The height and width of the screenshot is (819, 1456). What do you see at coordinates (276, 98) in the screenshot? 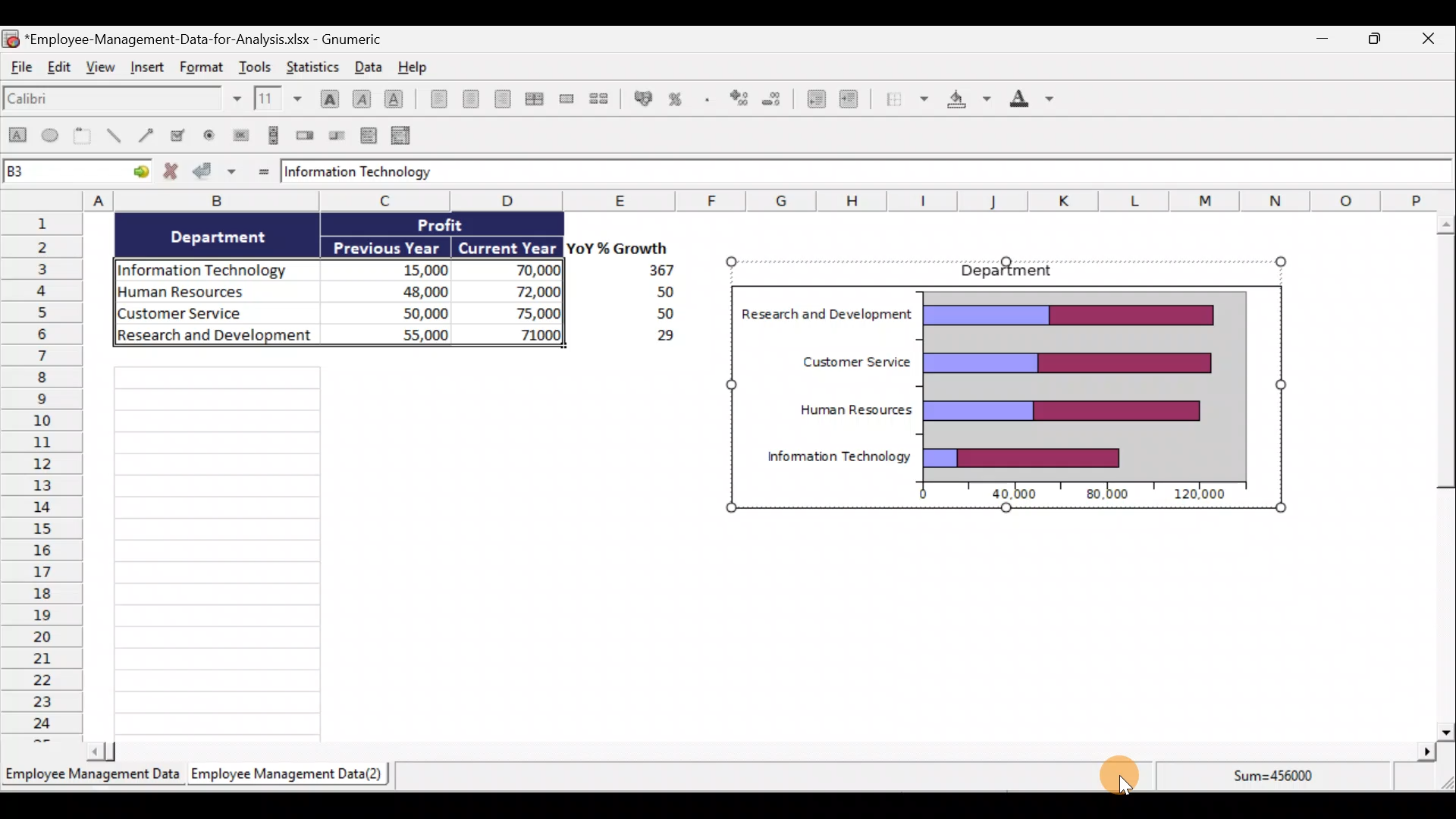
I see `Font size 11` at bounding box center [276, 98].